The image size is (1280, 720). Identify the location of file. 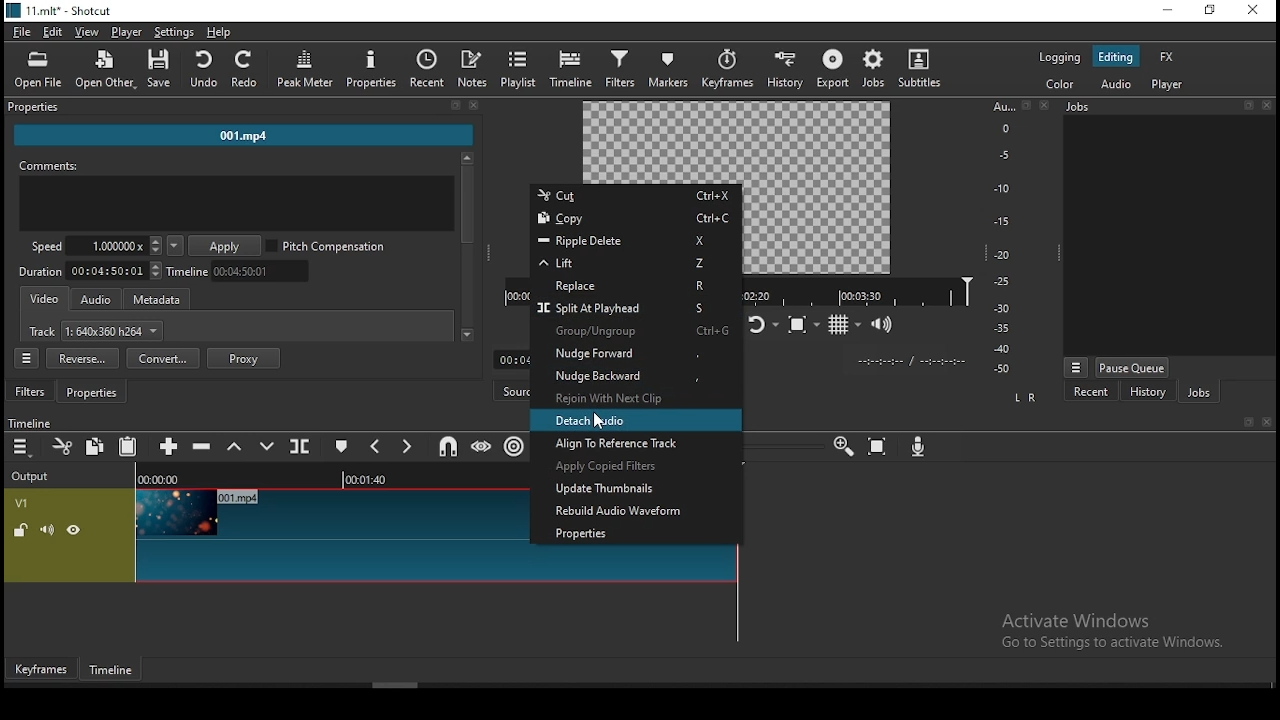
(21, 31).